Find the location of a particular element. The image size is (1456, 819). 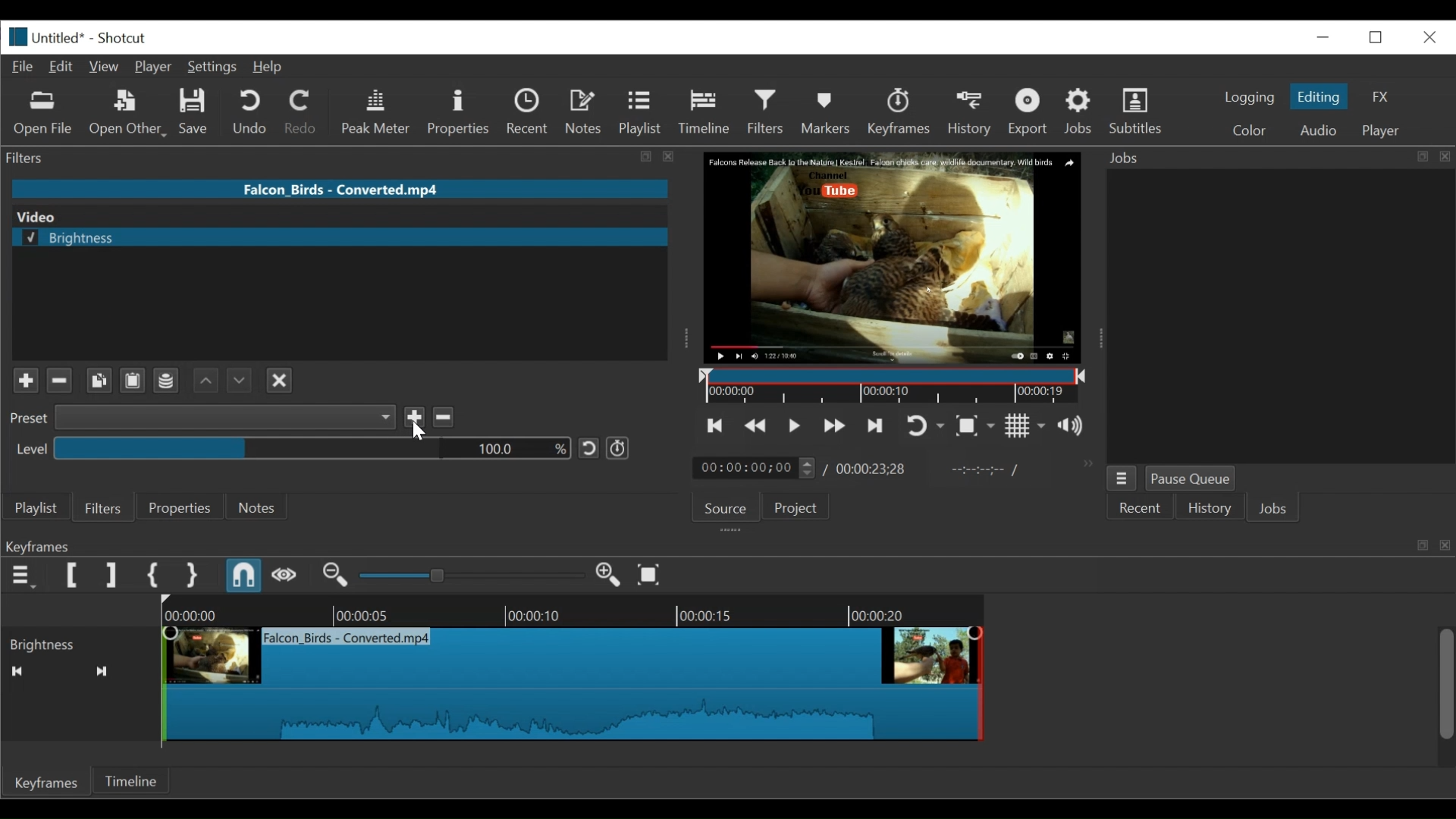

Clipboard is located at coordinates (131, 381).